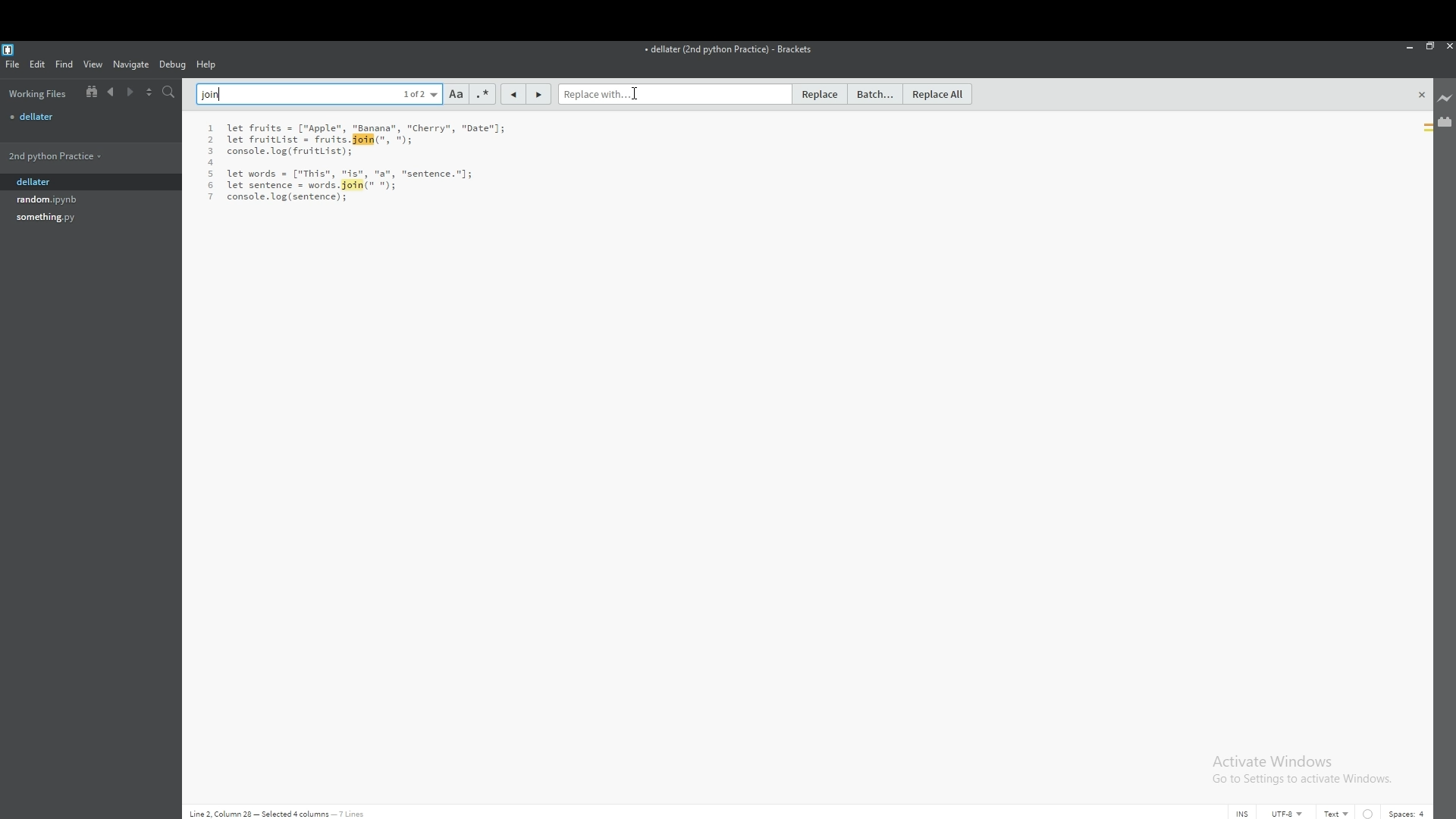 The height and width of the screenshot is (819, 1456). Describe the element at coordinates (111, 92) in the screenshot. I see `previous` at that location.